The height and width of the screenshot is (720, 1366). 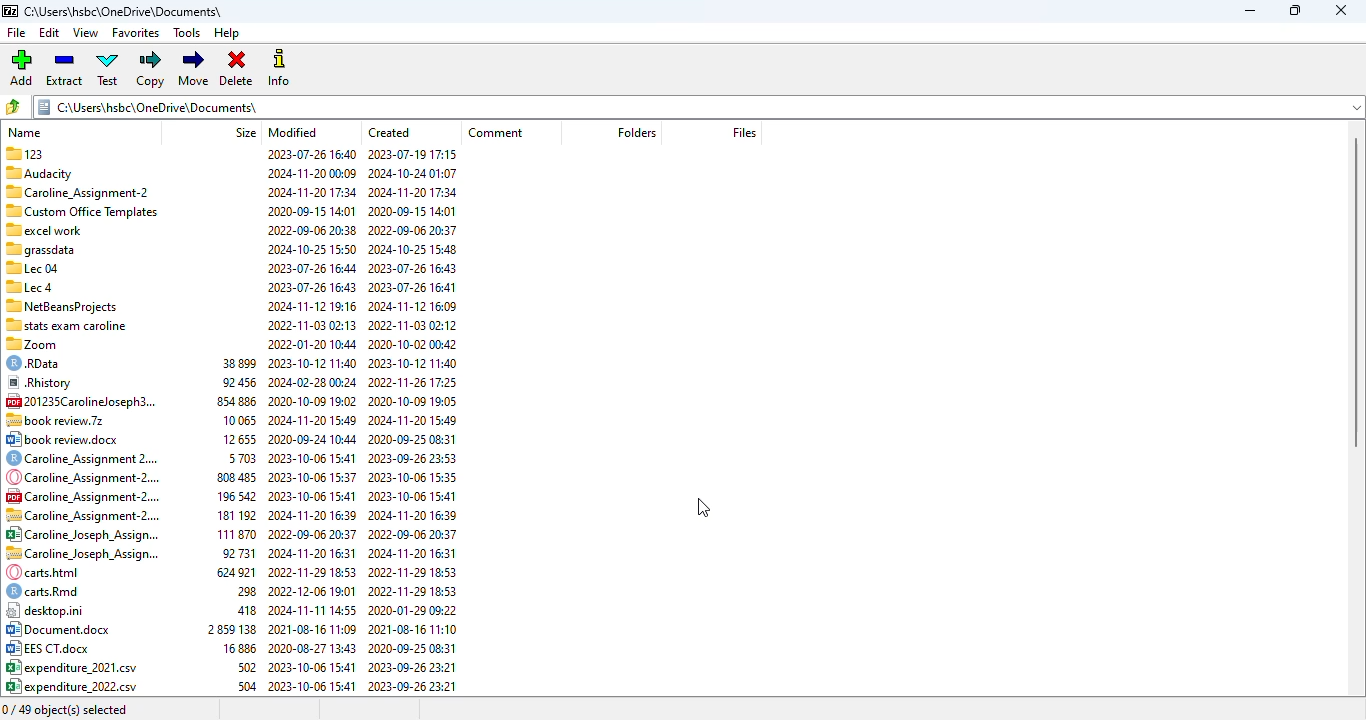 I want to click on cursor, so click(x=704, y=508).